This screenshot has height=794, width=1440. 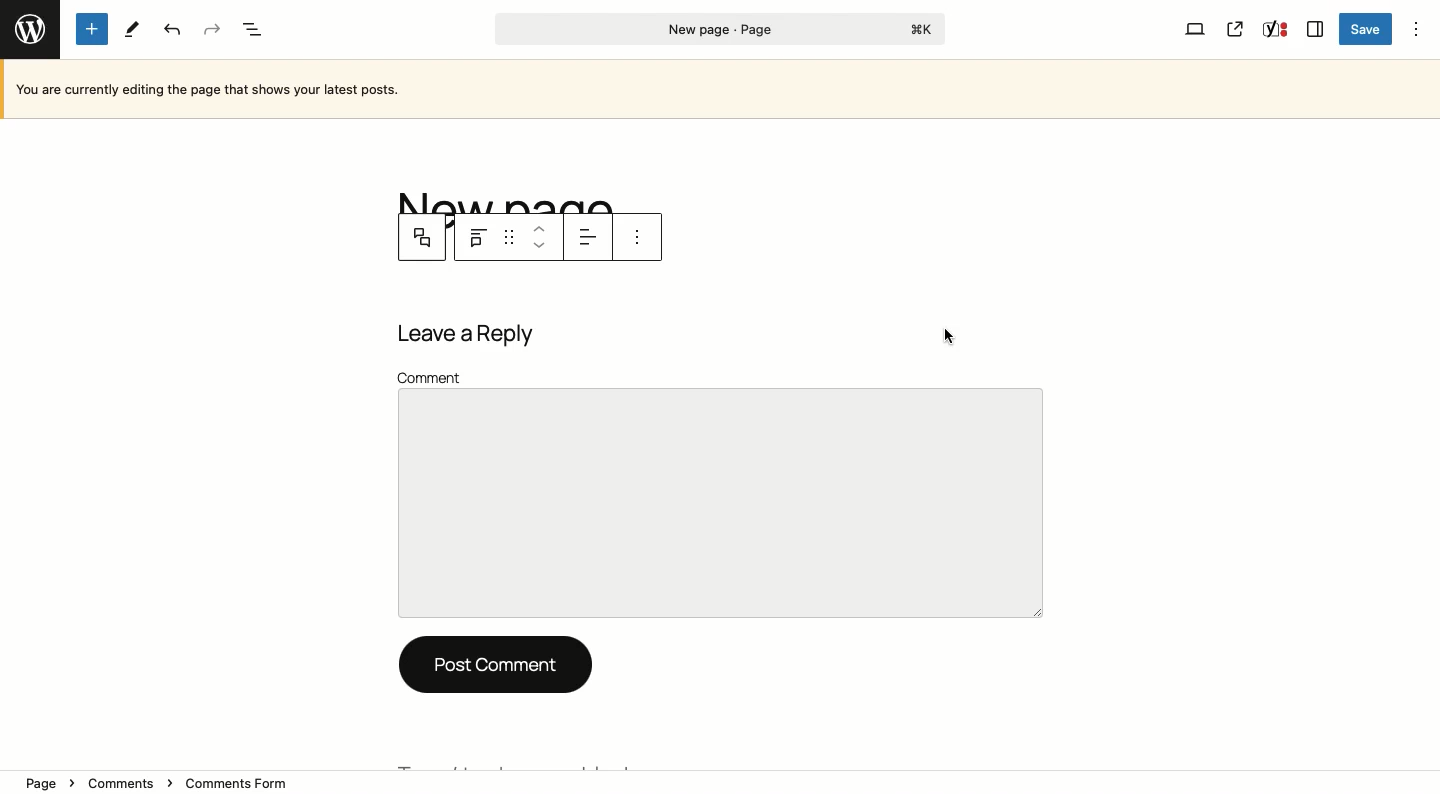 I want to click on Comment, so click(x=476, y=238).